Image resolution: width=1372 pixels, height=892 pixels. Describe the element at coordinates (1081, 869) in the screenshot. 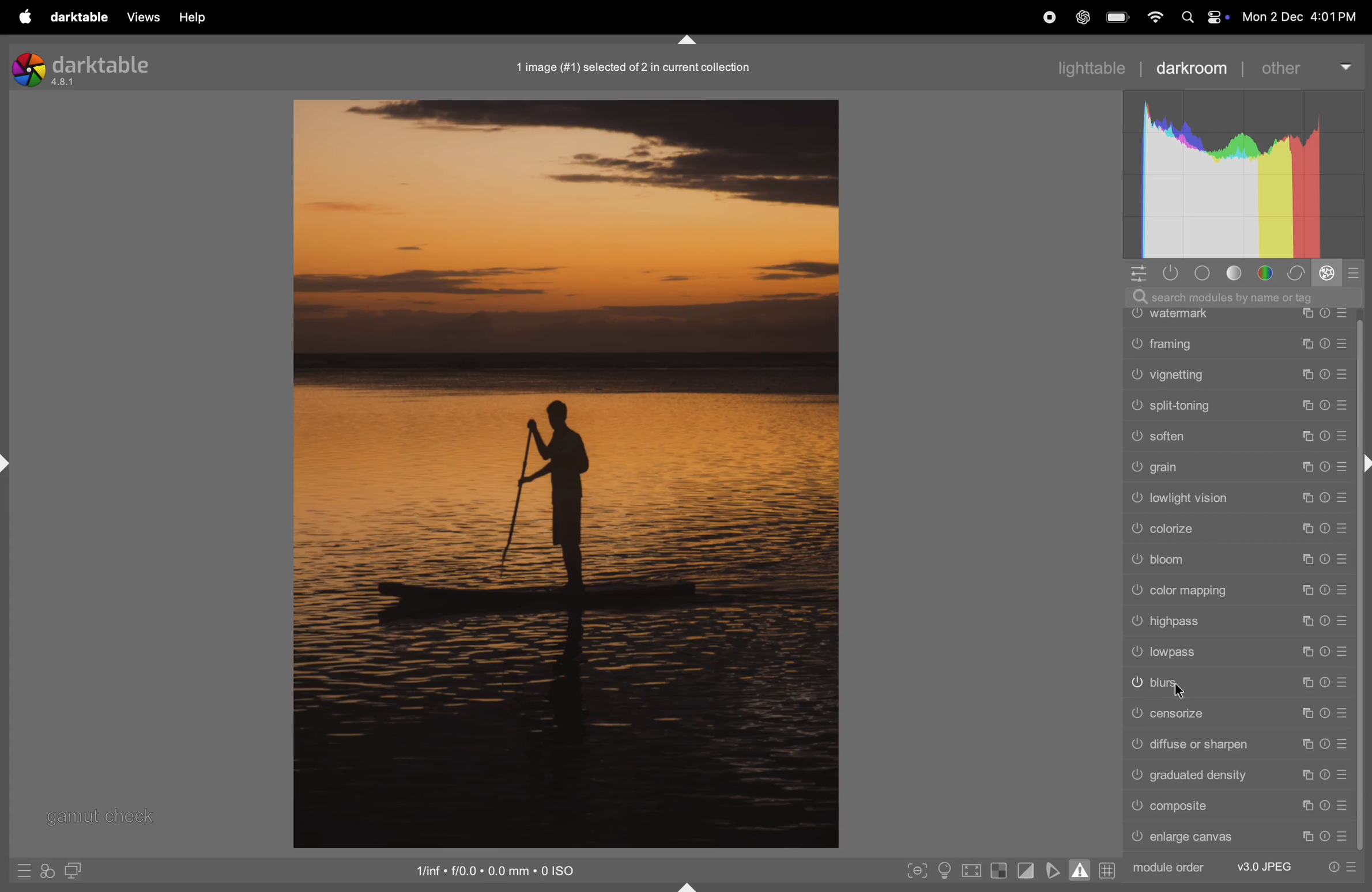

I see `toggle gamut checking` at that location.